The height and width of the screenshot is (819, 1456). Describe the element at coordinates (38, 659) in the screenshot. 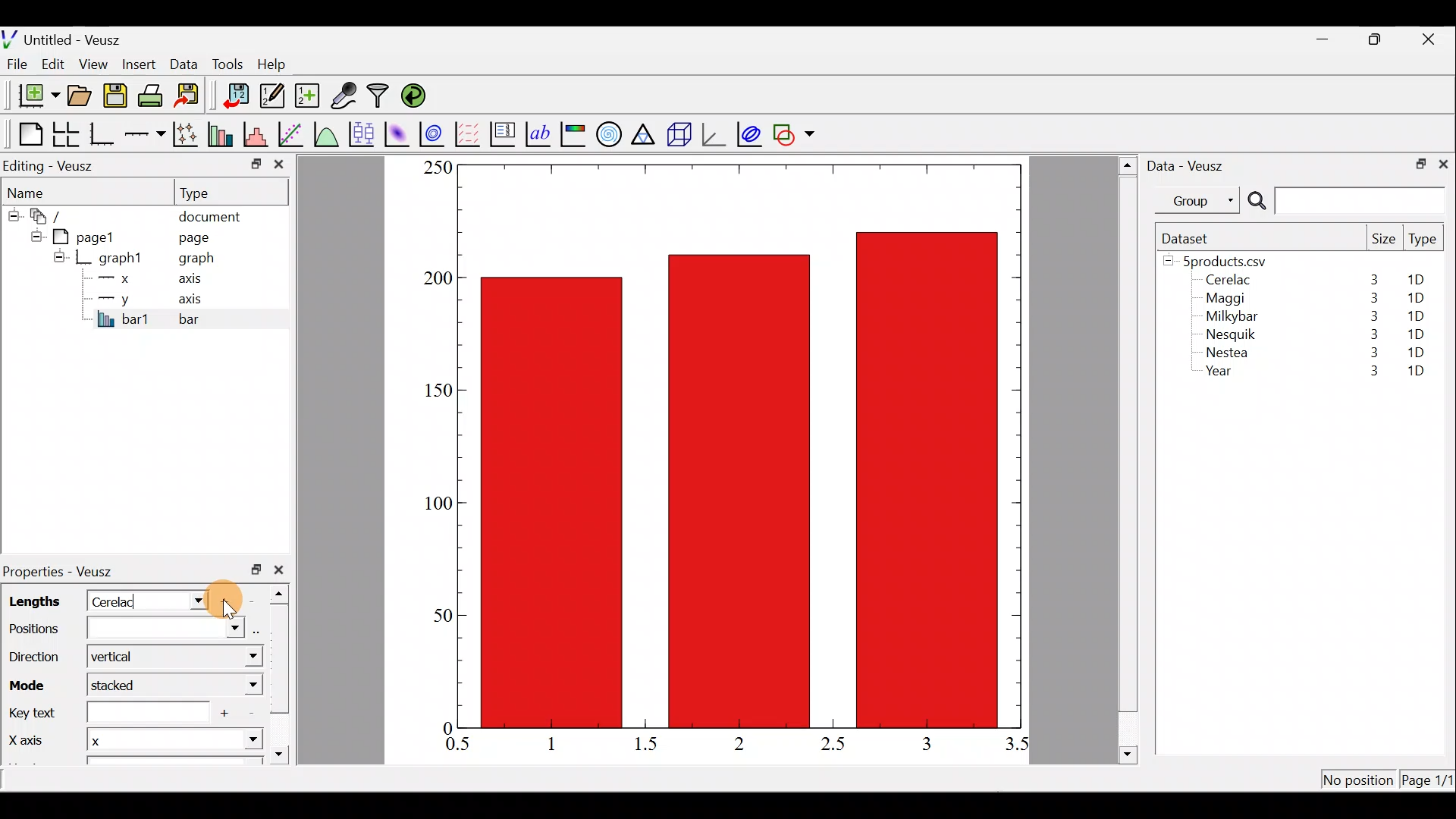

I see `Direction` at that location.